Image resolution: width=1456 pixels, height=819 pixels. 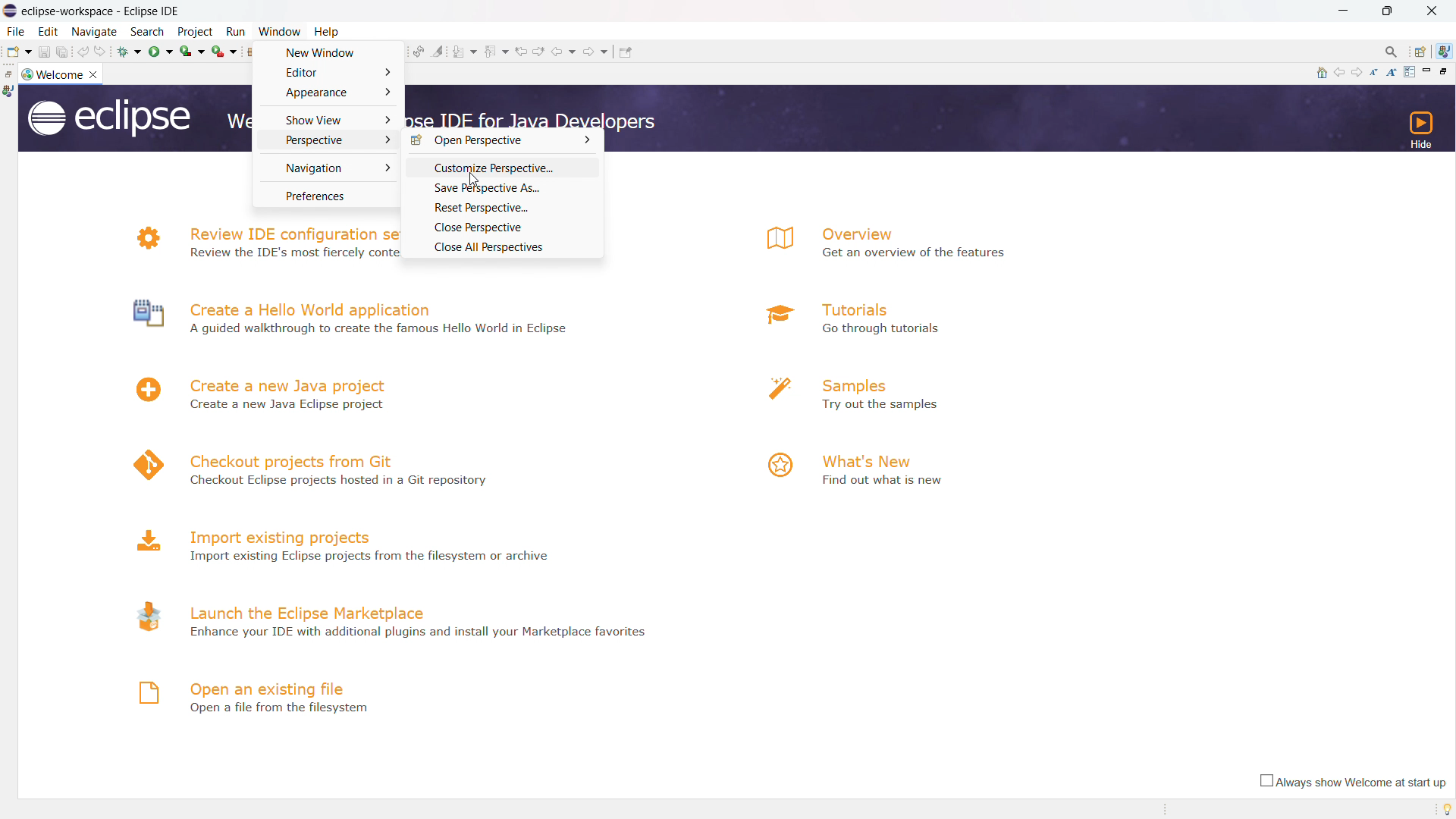 I want to click on close, so click(x=96, y=74).